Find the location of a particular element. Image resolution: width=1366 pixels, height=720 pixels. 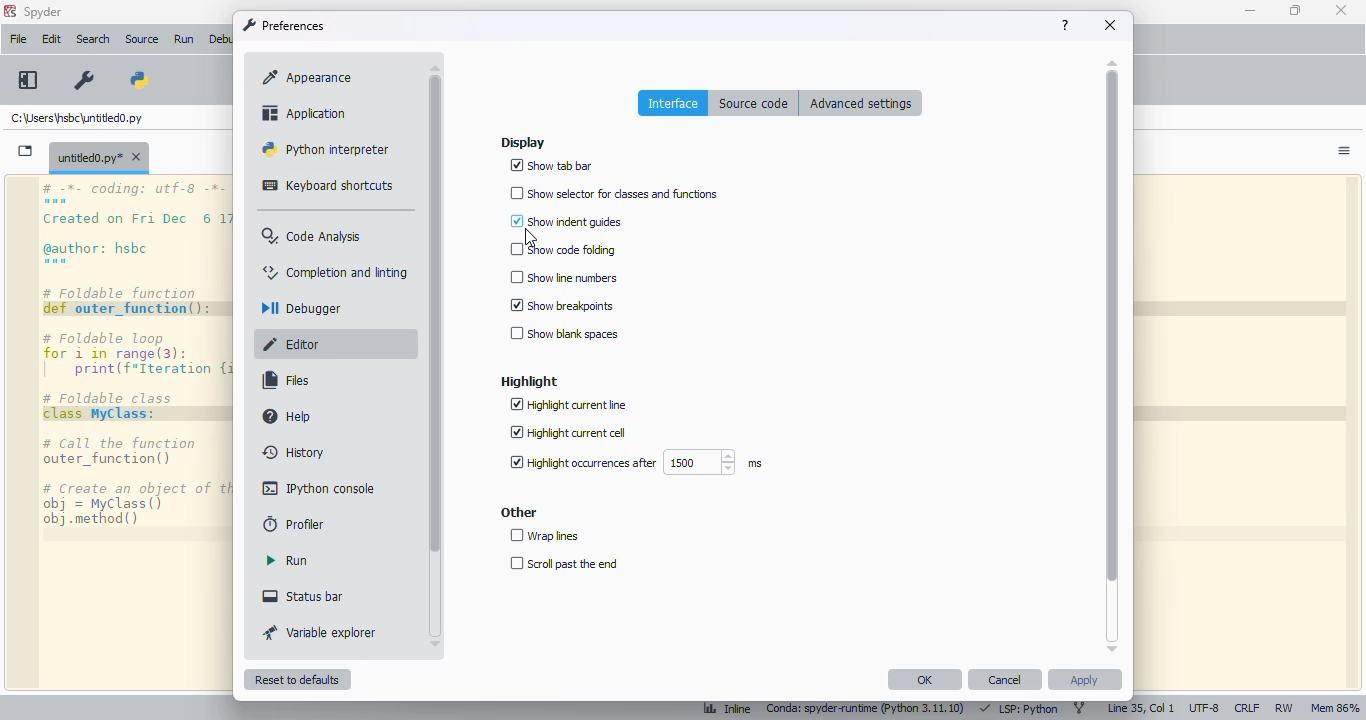

run is located at coordinates (286, 560).